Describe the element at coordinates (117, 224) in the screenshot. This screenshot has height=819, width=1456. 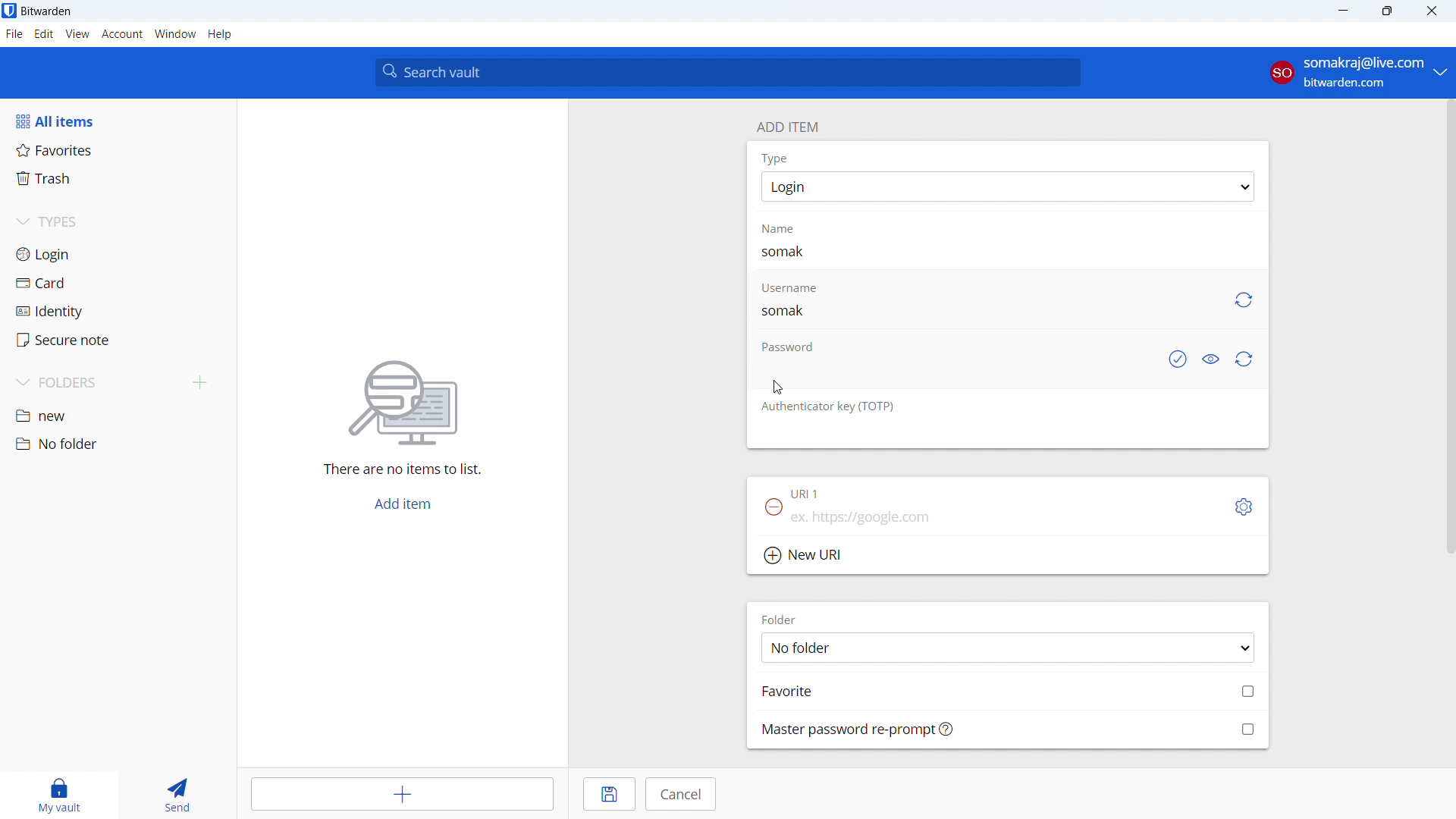
I see `types` at that location.